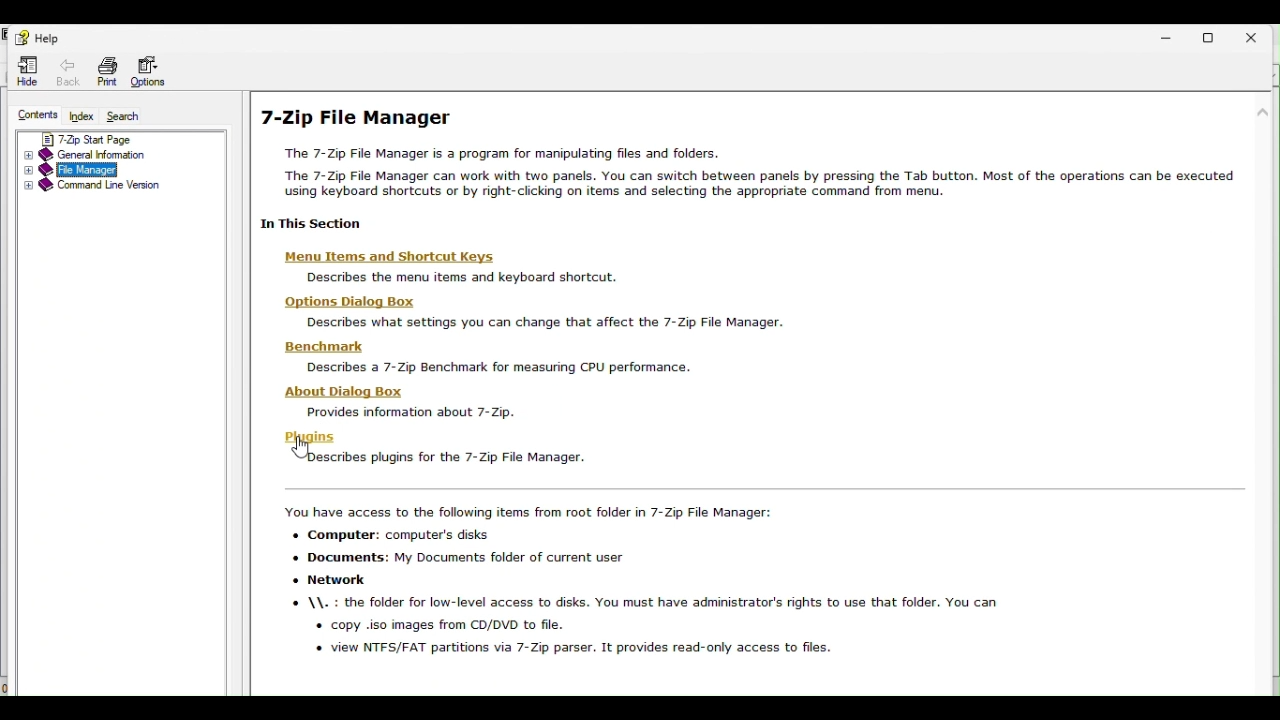 The height and width of the screenshot is (720, 1280). I want to click on Help, so click(33, 35).